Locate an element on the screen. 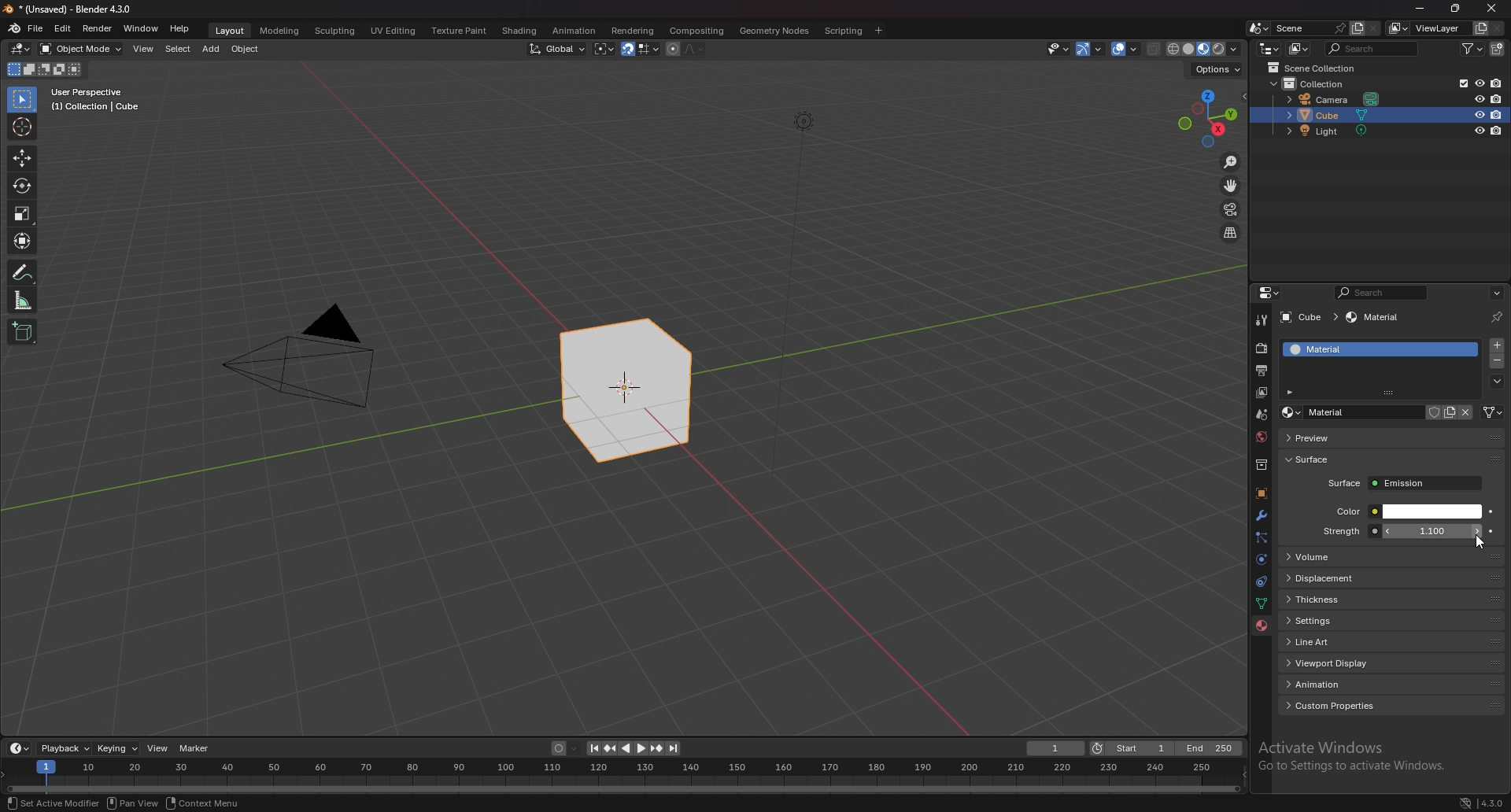 The image size is (1511, 812). displacement is located at coordinates (1392, 578).